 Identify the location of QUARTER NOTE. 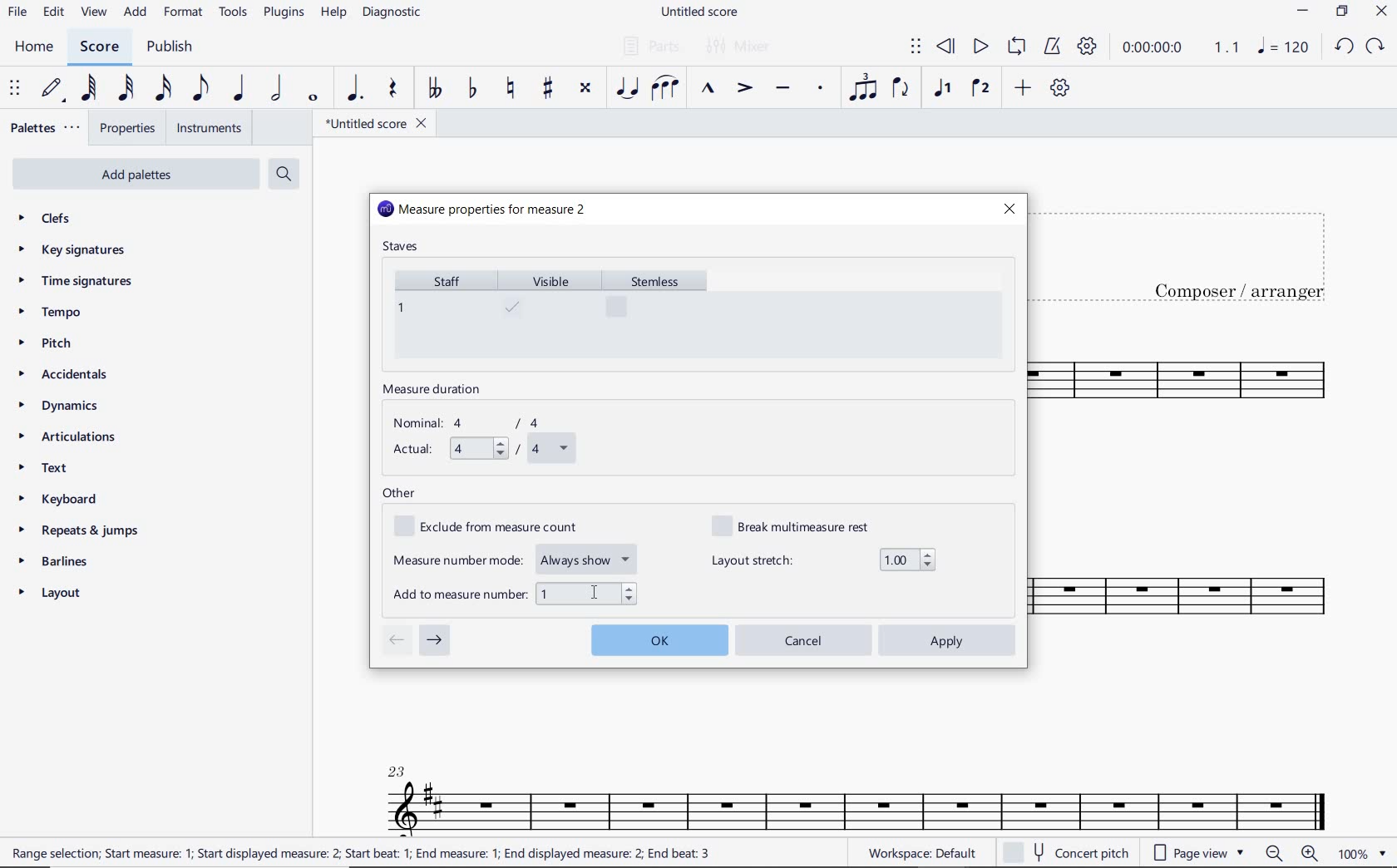
(239, 89).